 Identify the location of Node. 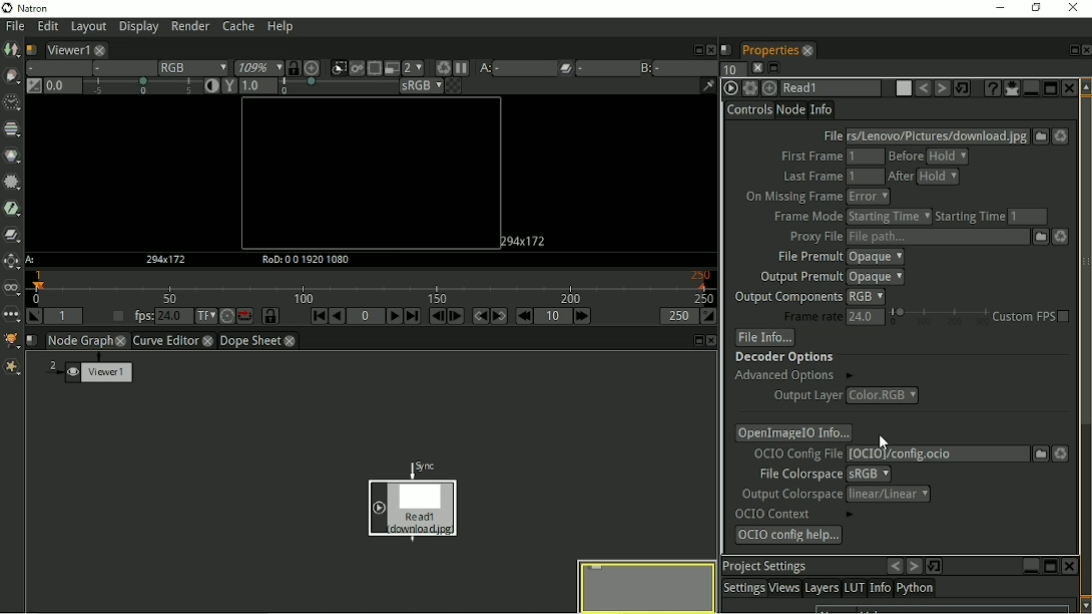
(791, 111).